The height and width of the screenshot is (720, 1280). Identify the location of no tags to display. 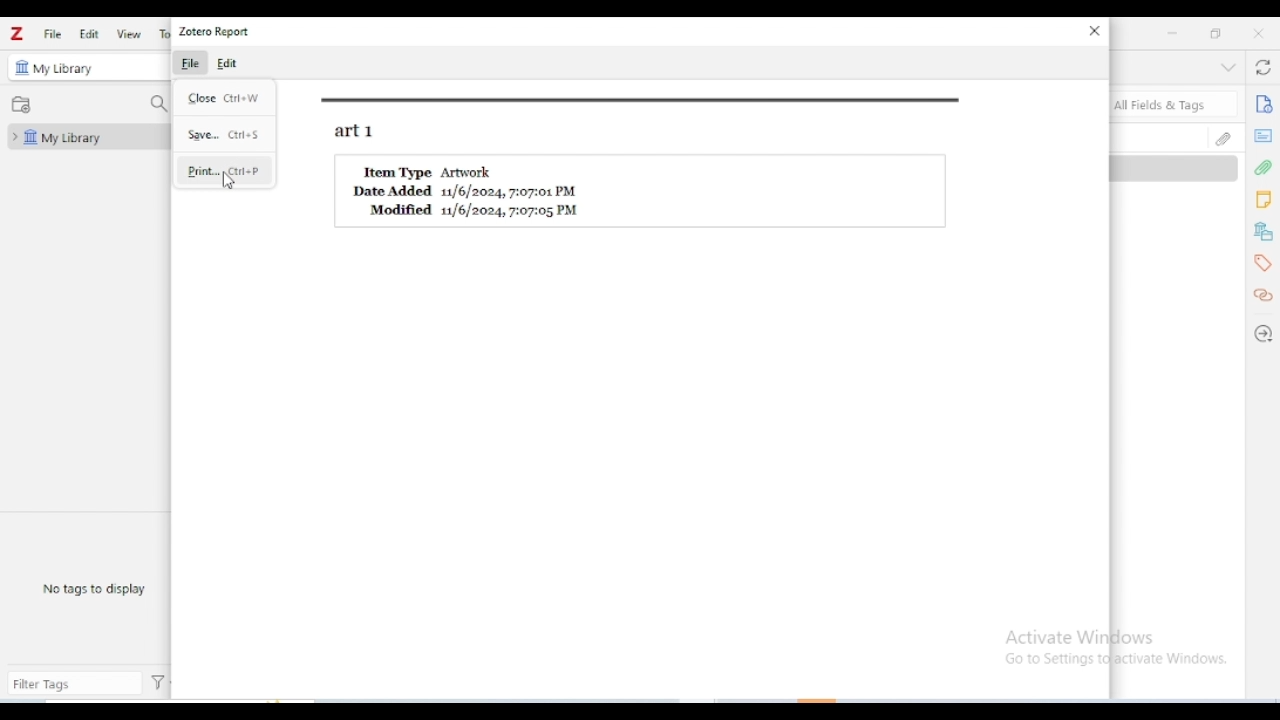
(93, 588).